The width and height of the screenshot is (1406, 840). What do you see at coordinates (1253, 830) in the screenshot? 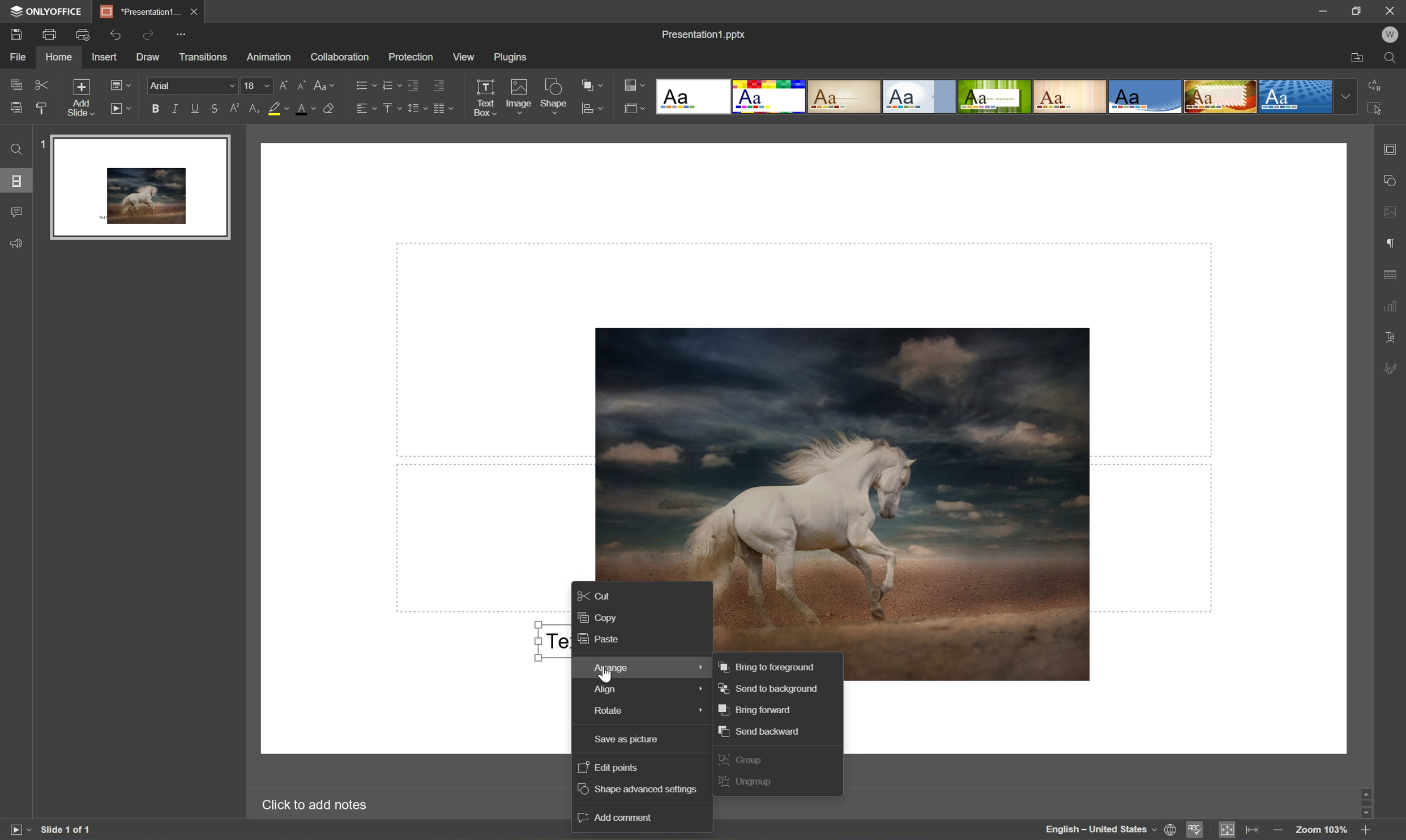
I see `Fit to width` at bounding box center [1253, 830].